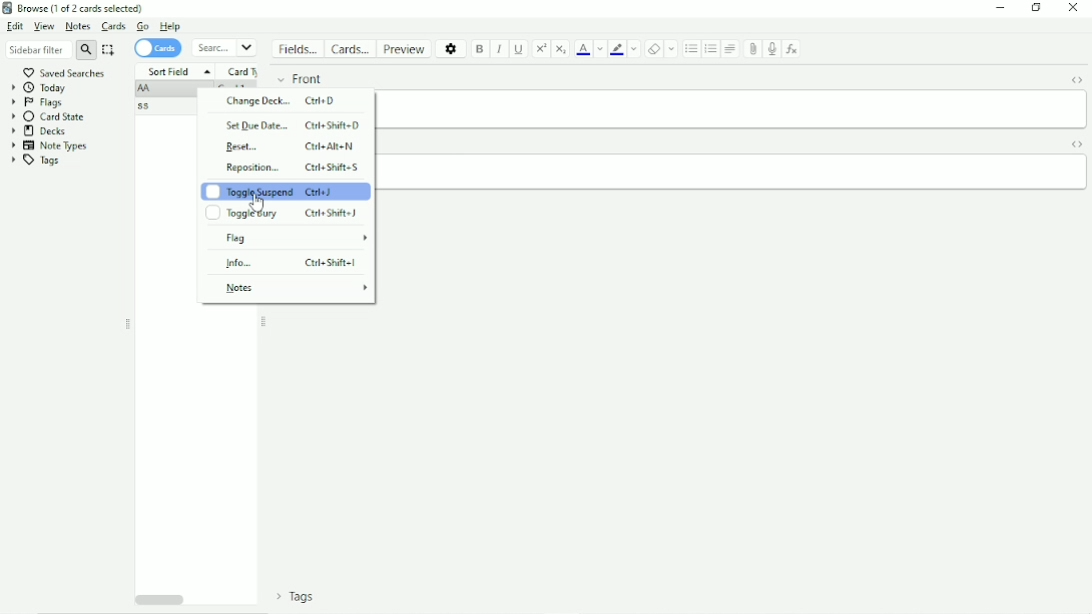  I want to click on Sort Field, so click(179, 72).